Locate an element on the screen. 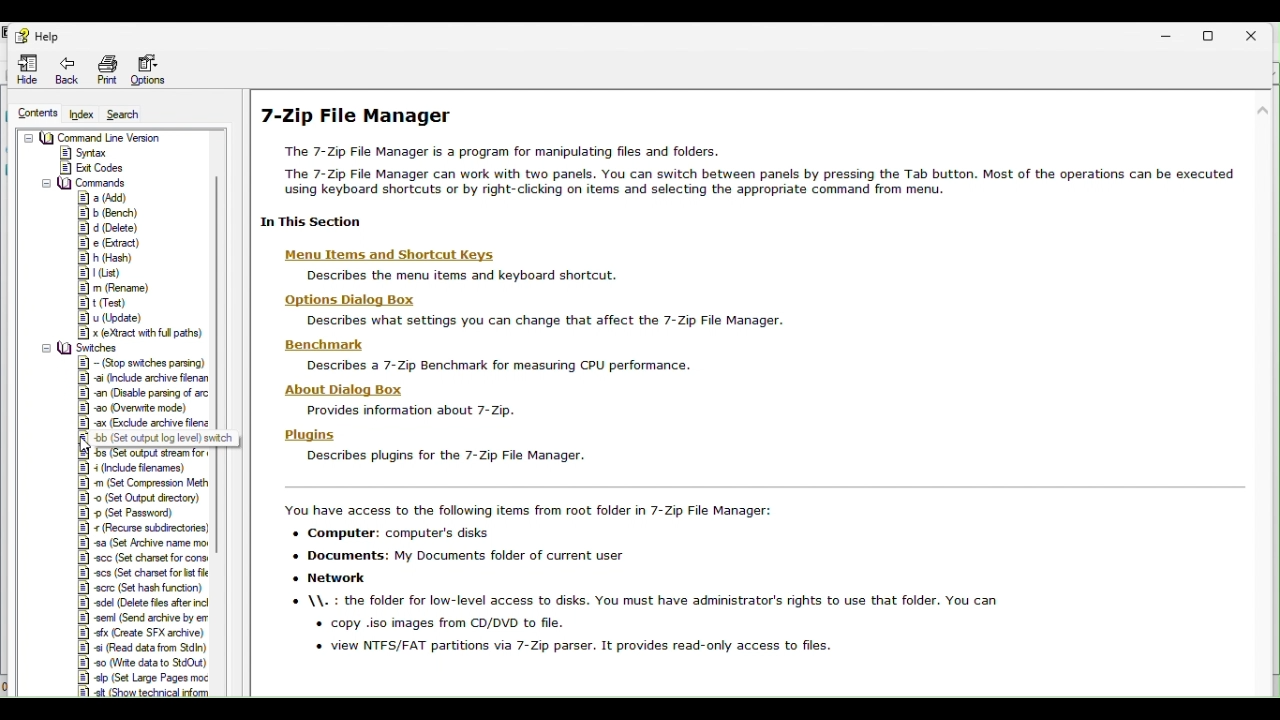  = UY Commands is located at coordinates (85, 181).